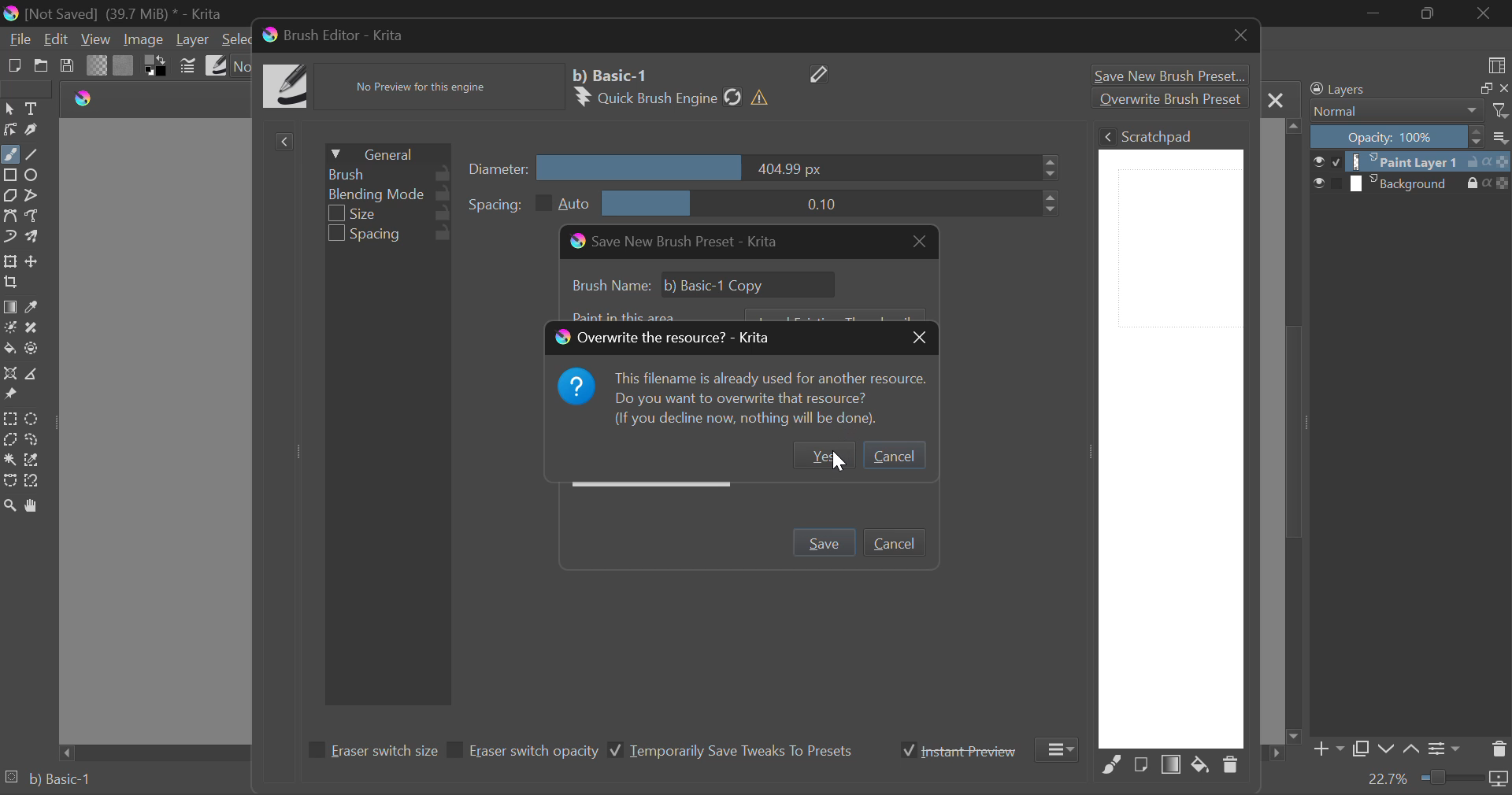 The height and width of the screenshot is (795, 1512). What do you see at coordinates (11, 374) in the screenshot?
I see `Assistant Tool` at bounding box center [11, 374].